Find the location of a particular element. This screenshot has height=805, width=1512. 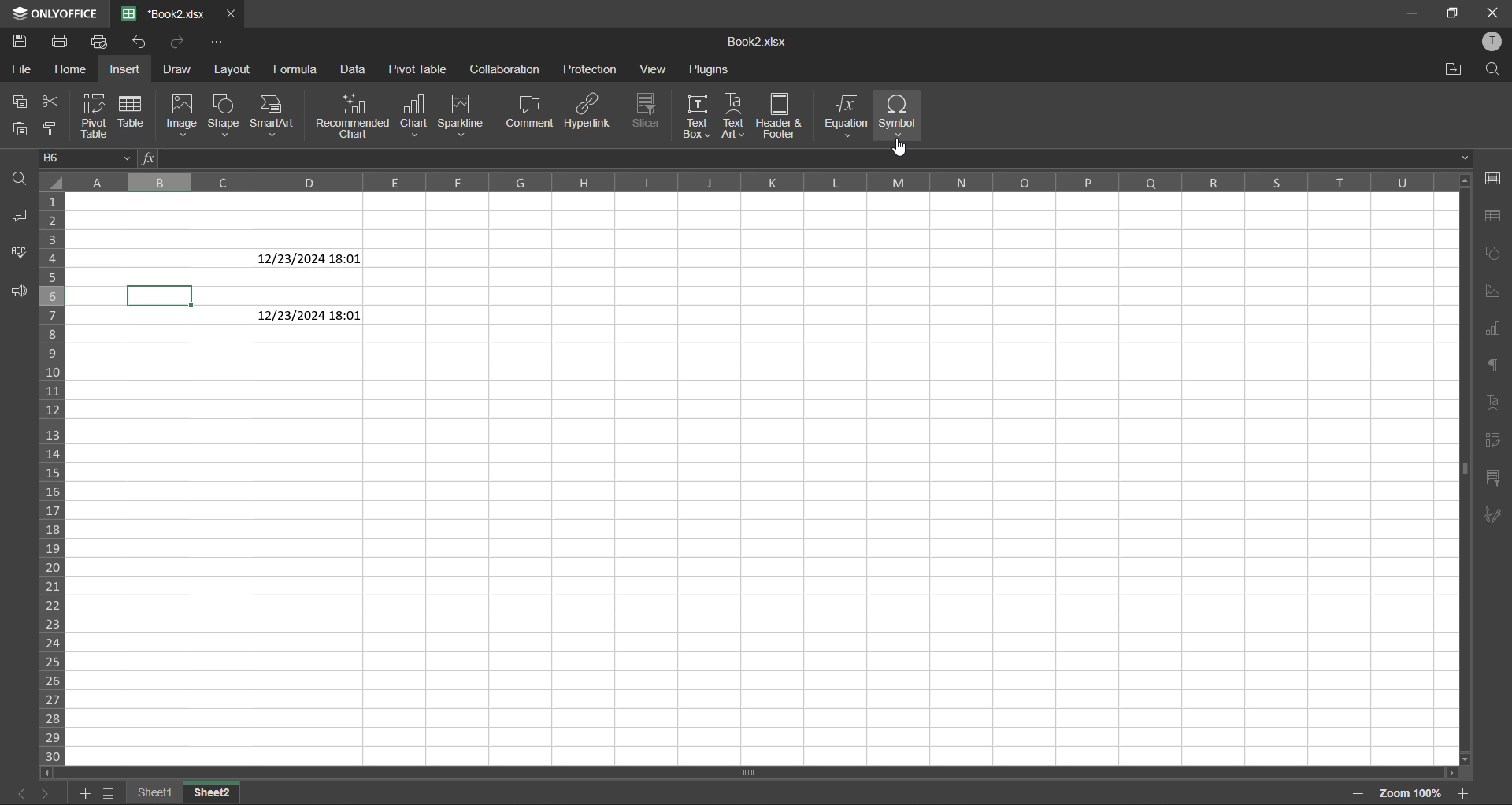

sheet list is located at coordinates (112, 794).